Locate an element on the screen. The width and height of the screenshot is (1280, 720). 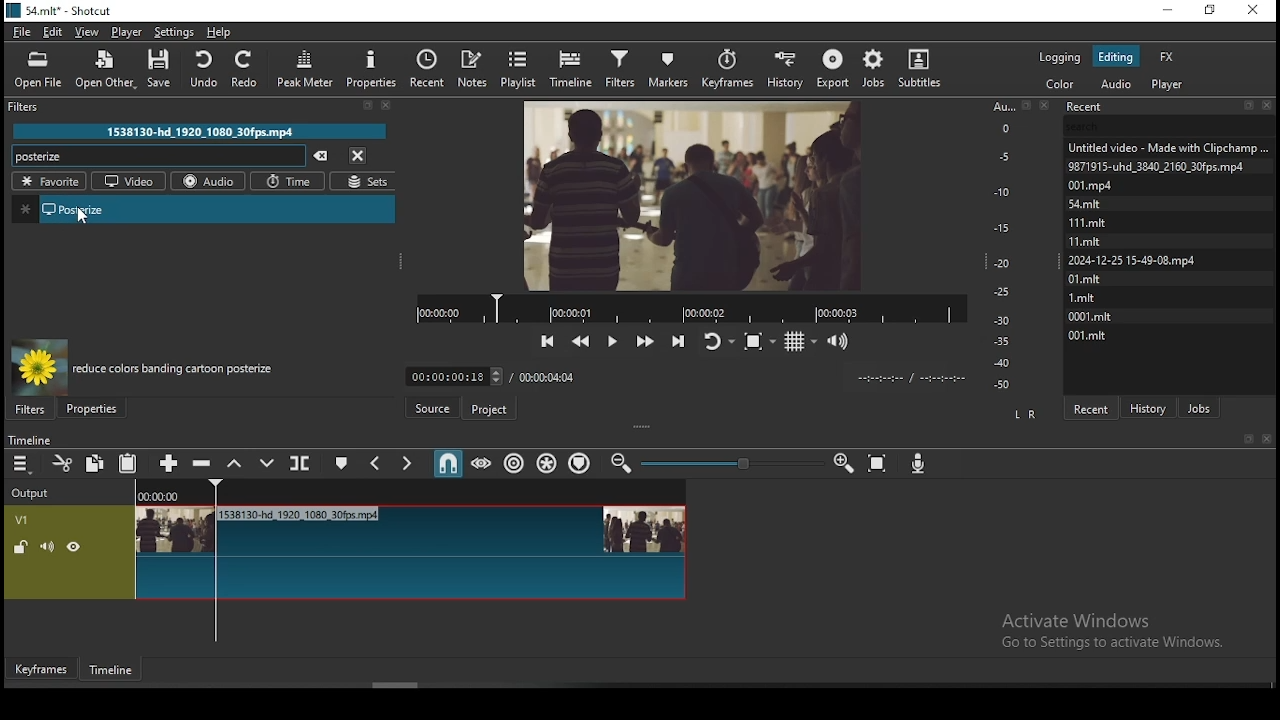
timeline is located at coordinates (574, 68).